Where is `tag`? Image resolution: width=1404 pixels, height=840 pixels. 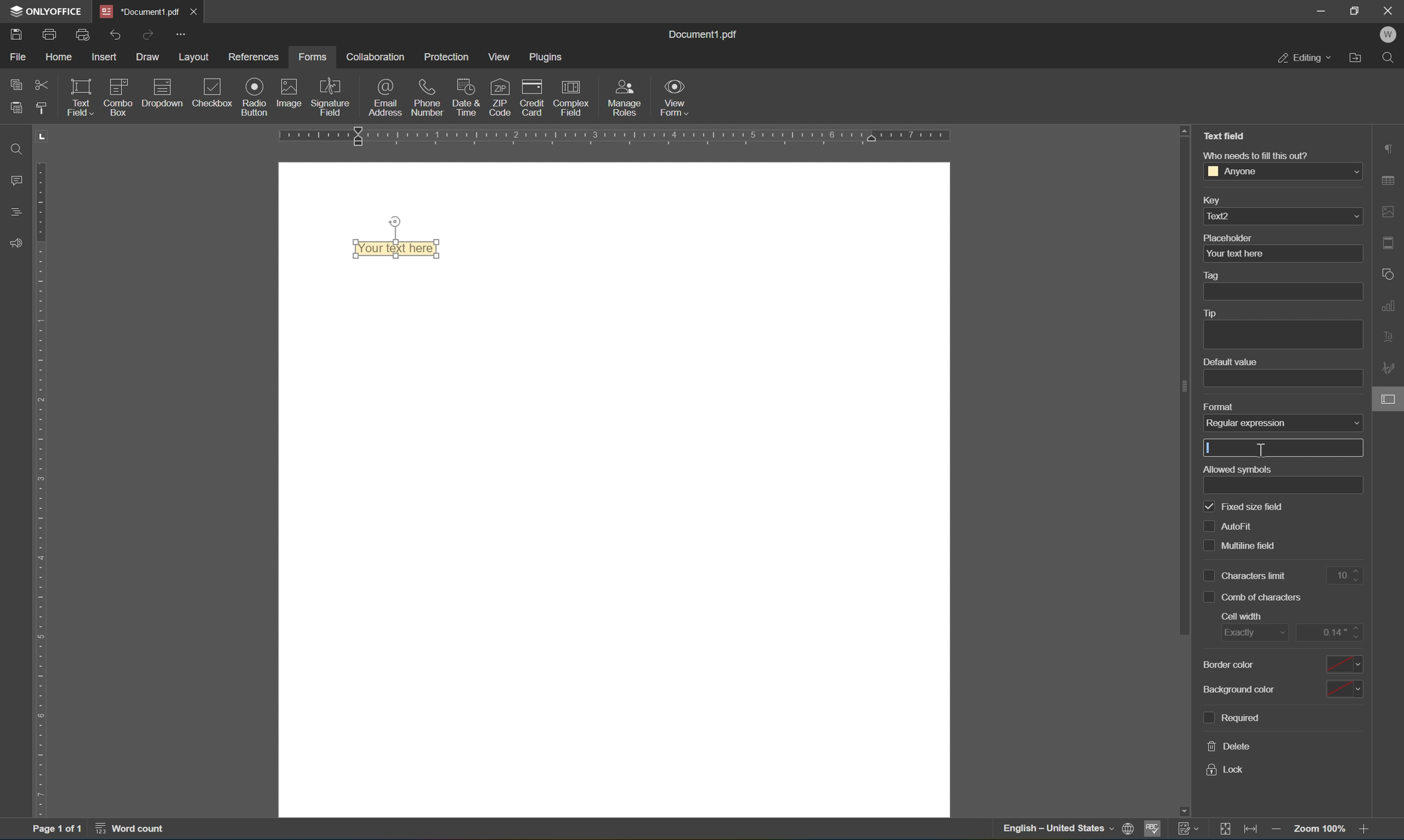 tag is located at coordinates (1216, 274).